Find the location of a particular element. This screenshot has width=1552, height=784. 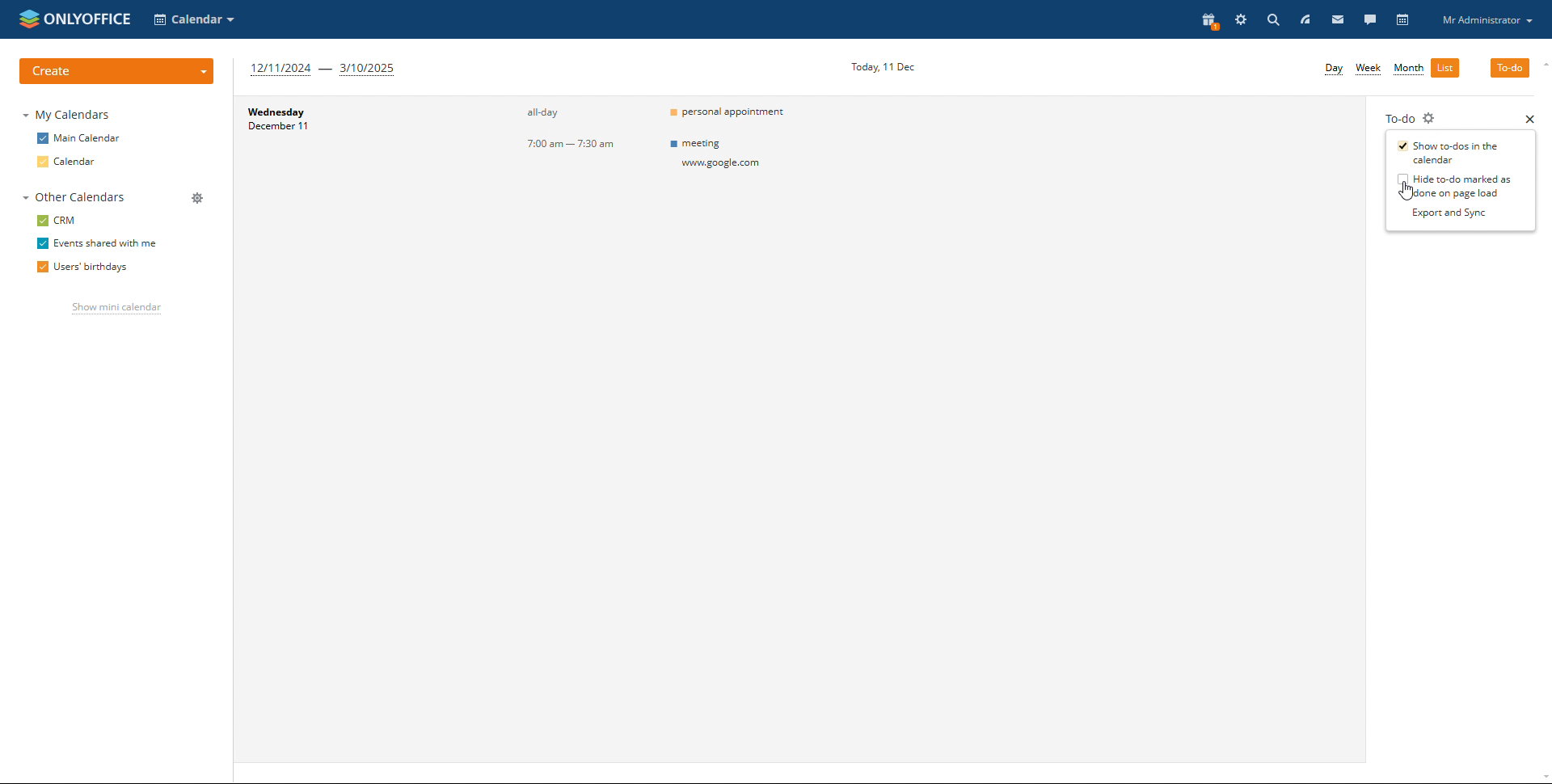

settings is located at coordinates (1242, 20).